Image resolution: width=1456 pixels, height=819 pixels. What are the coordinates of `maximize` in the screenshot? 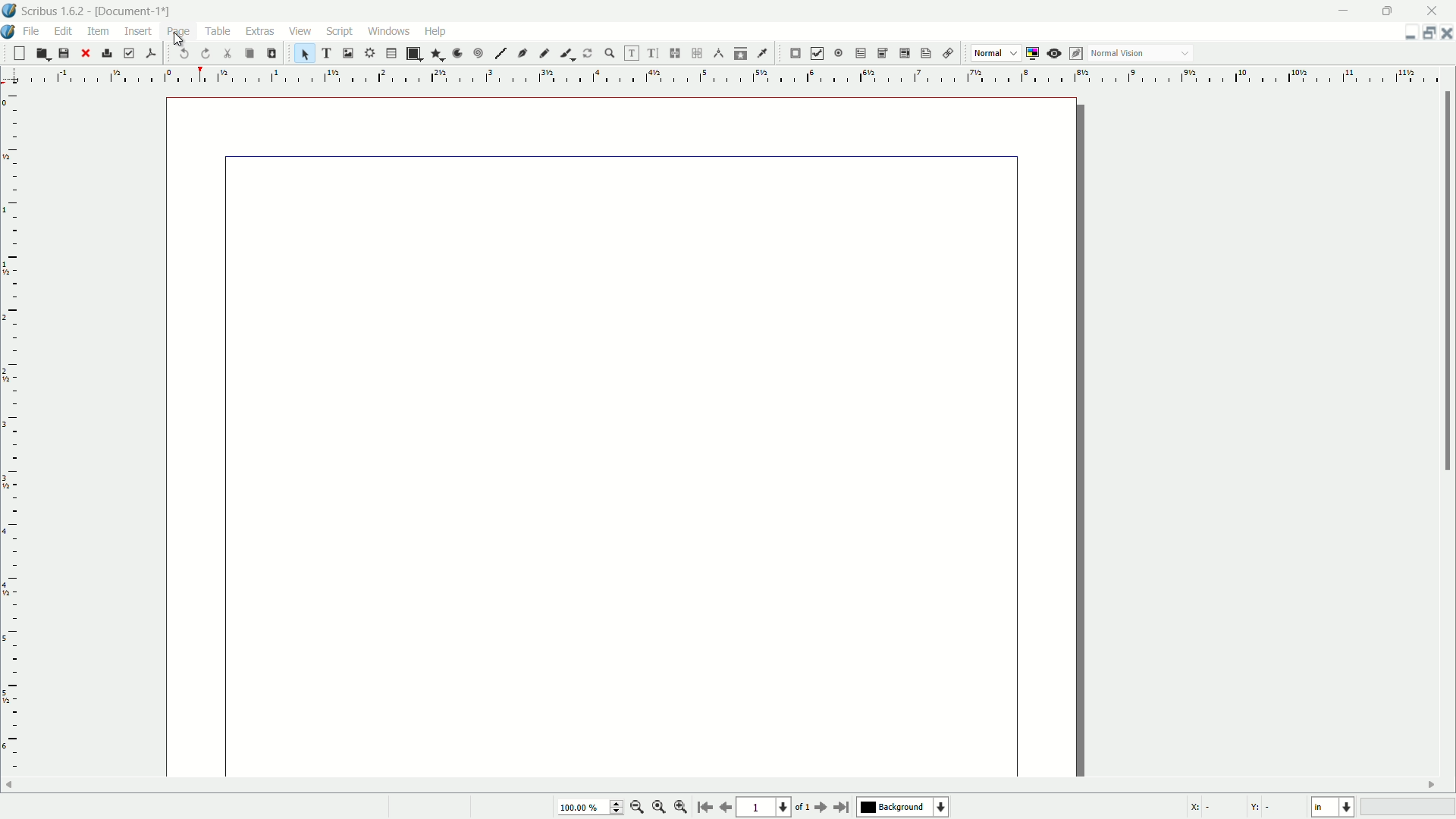 It's located at (1390, 10).